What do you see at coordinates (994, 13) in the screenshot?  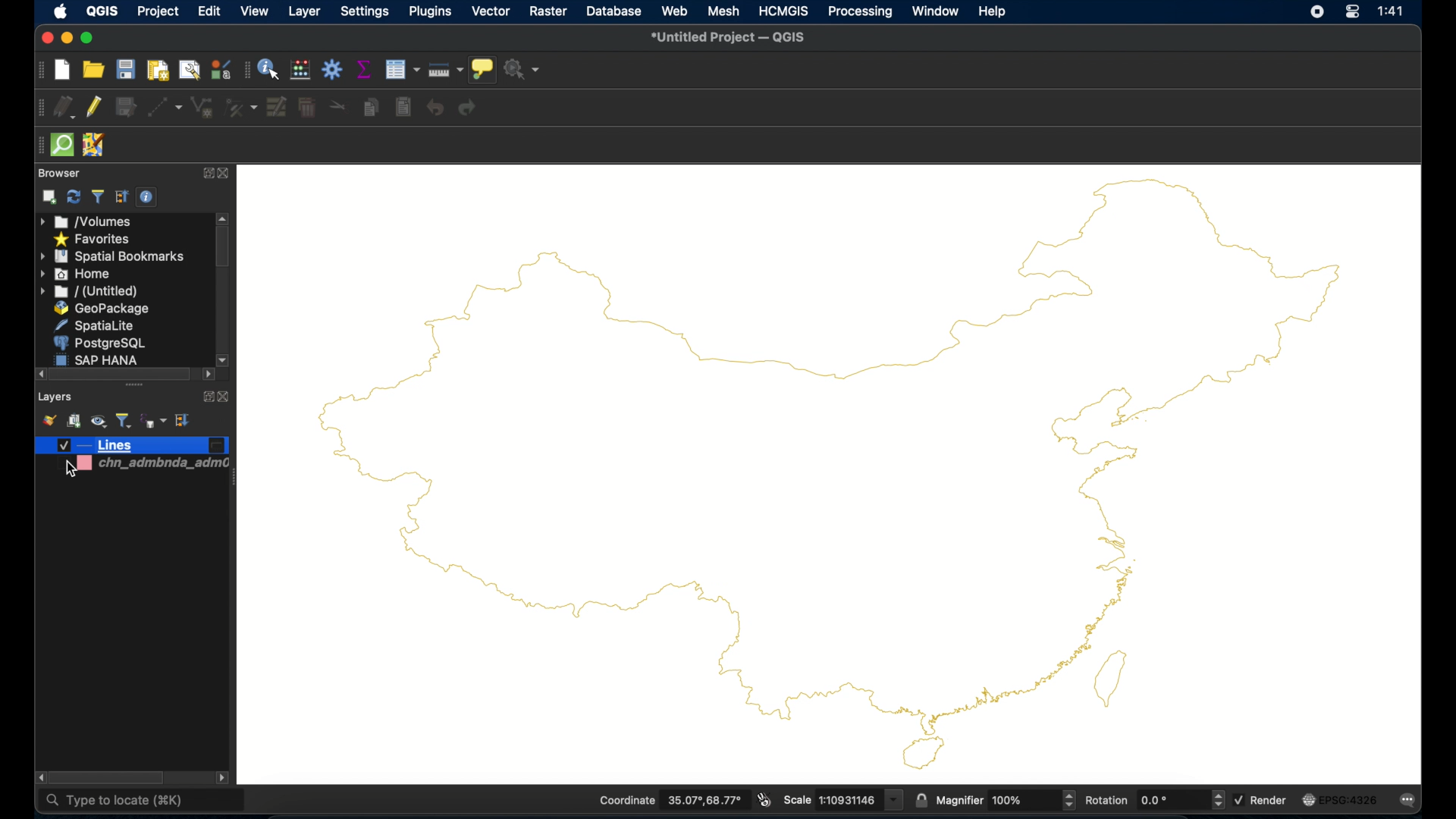 I see `help` at bounding box center [994, 13].